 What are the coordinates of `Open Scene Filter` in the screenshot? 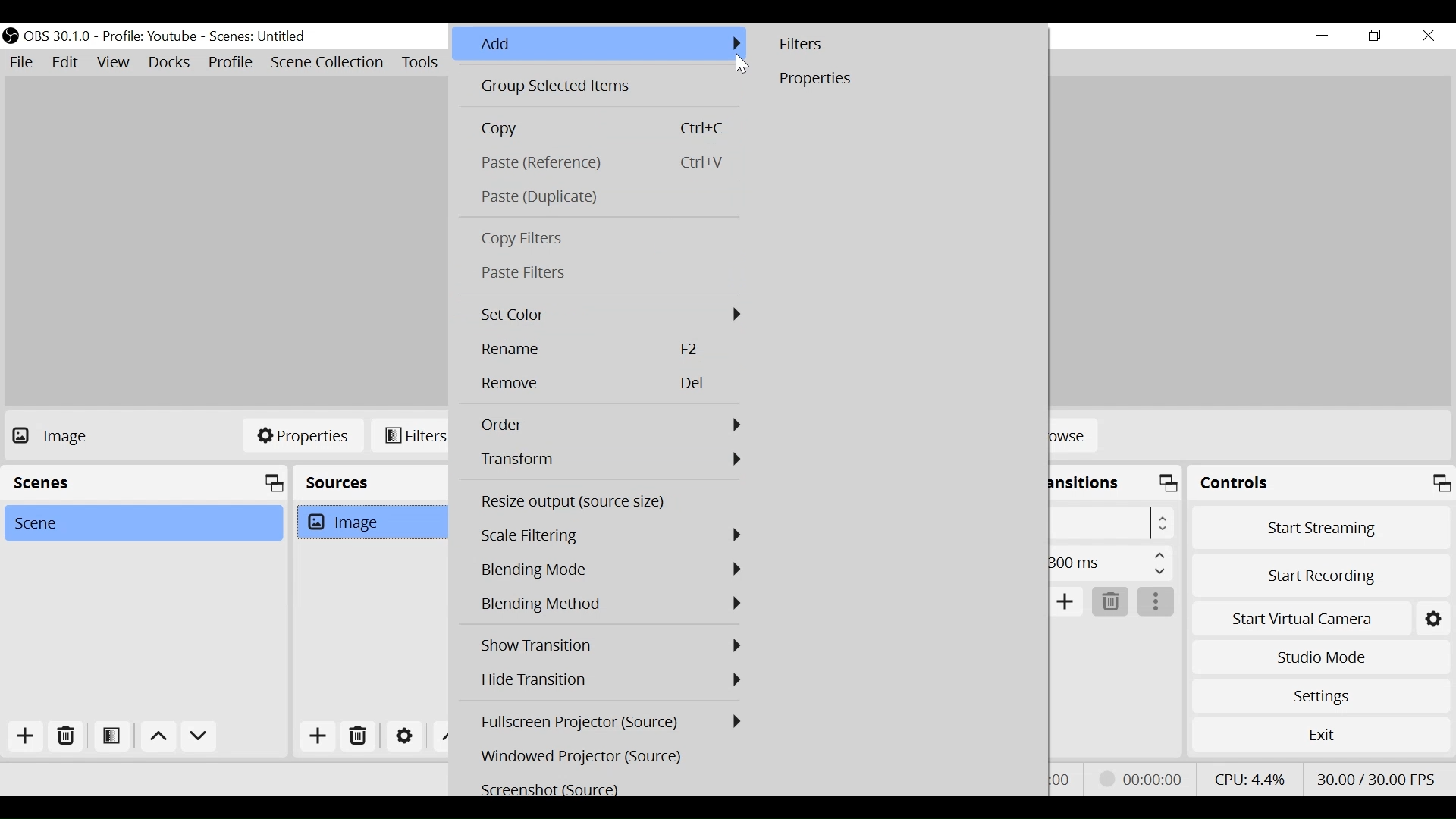 It's located at (113, 738).